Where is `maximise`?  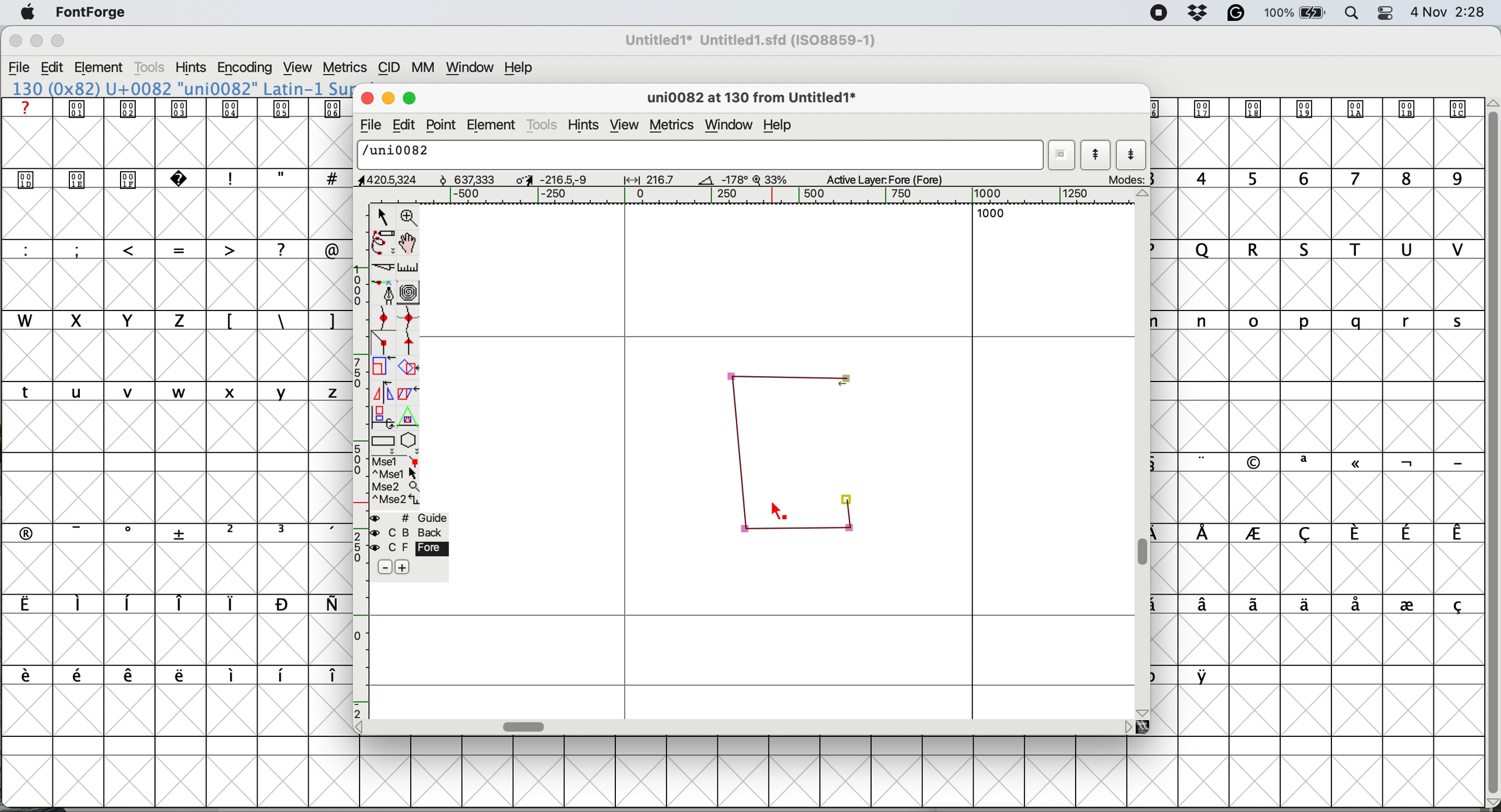 maximise is located at coordinates (59, 41).